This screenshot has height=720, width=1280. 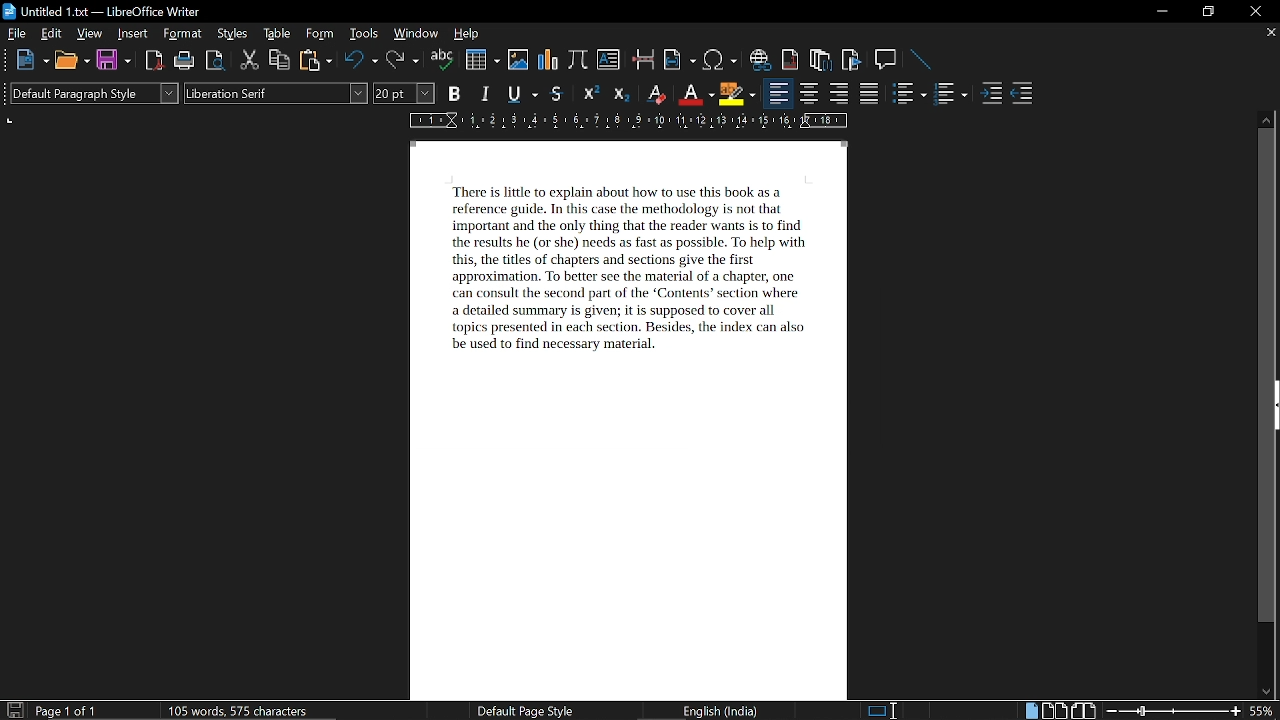 What do you see at coordinates (1266, 119) in the screenshot?
I see `move up` at bounding box center [1266, 119].